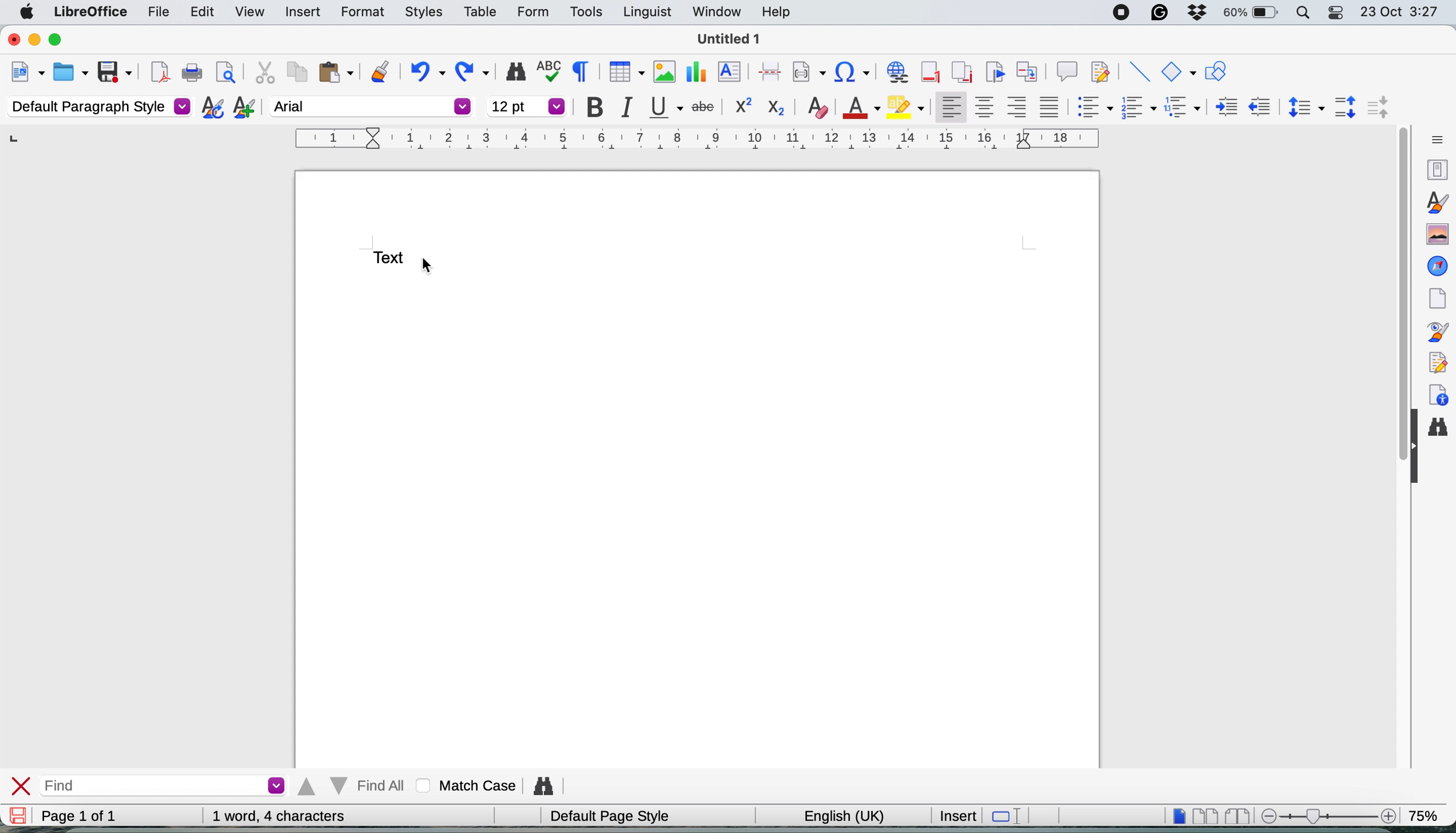 The width and height of the screenshot is (1456, 833). I want to click on insert table, so click(624, 73).